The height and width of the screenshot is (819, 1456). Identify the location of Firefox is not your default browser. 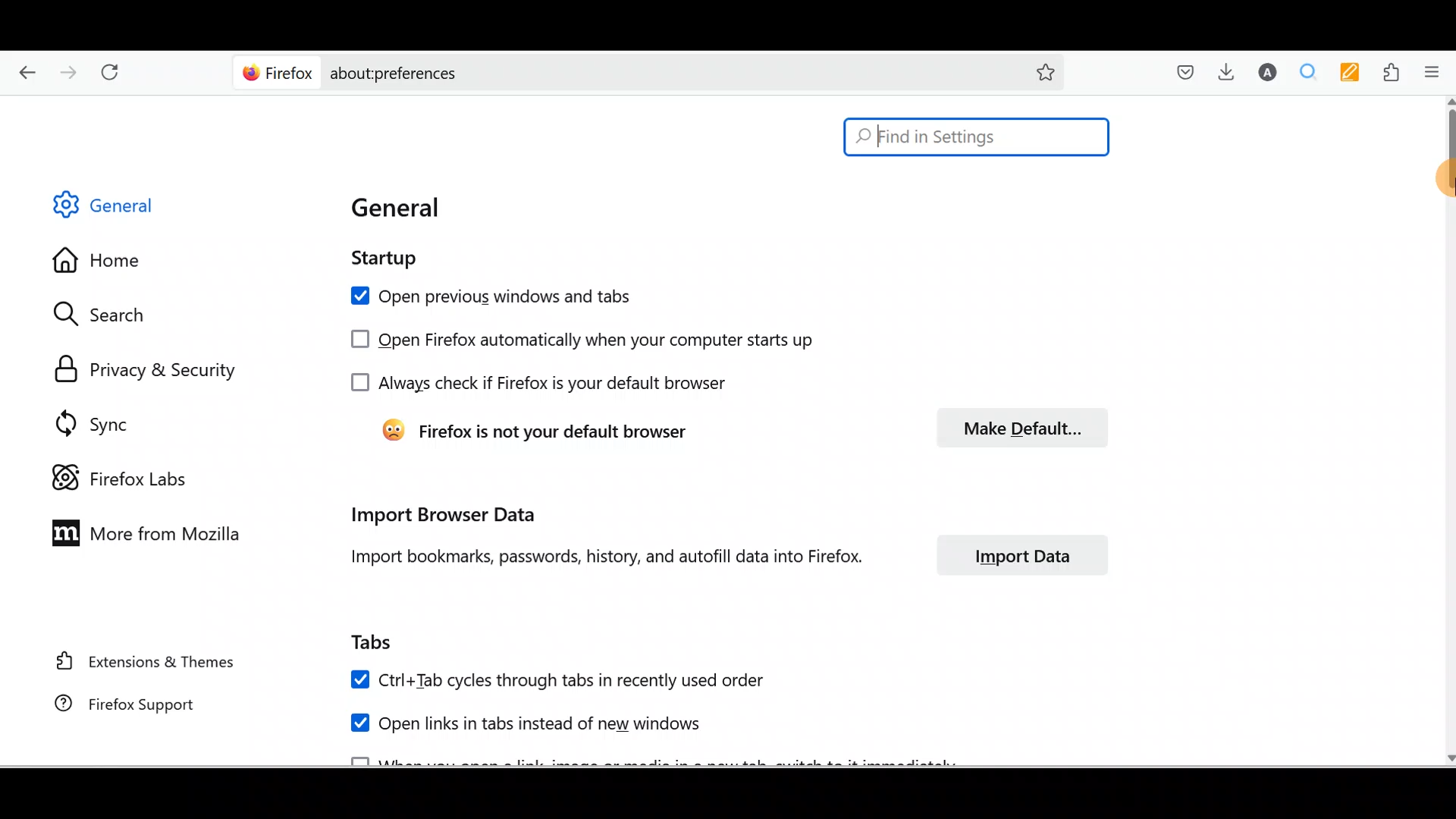
(535, 425).